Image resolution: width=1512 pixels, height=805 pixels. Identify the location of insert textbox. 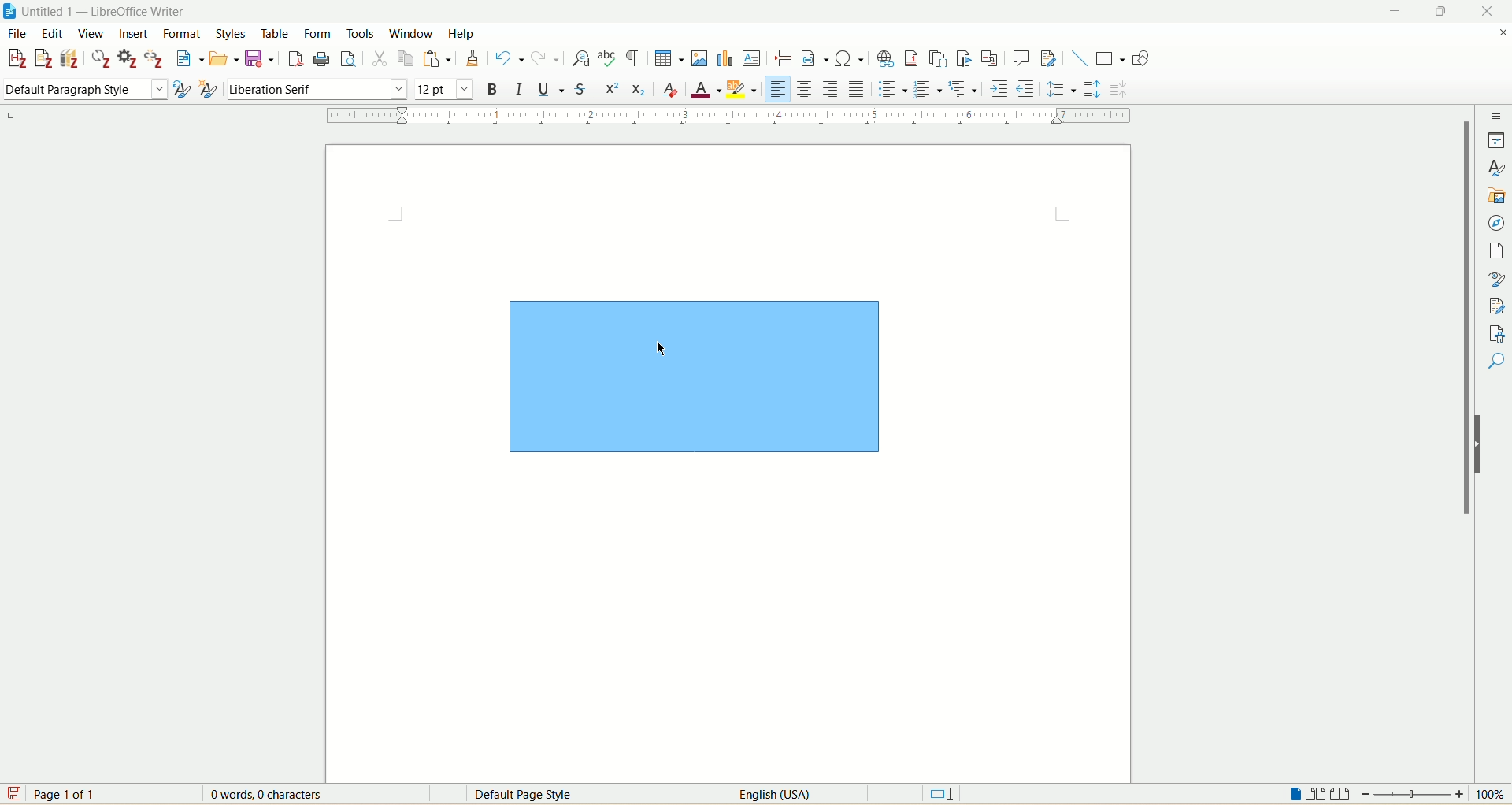
(754, 58).